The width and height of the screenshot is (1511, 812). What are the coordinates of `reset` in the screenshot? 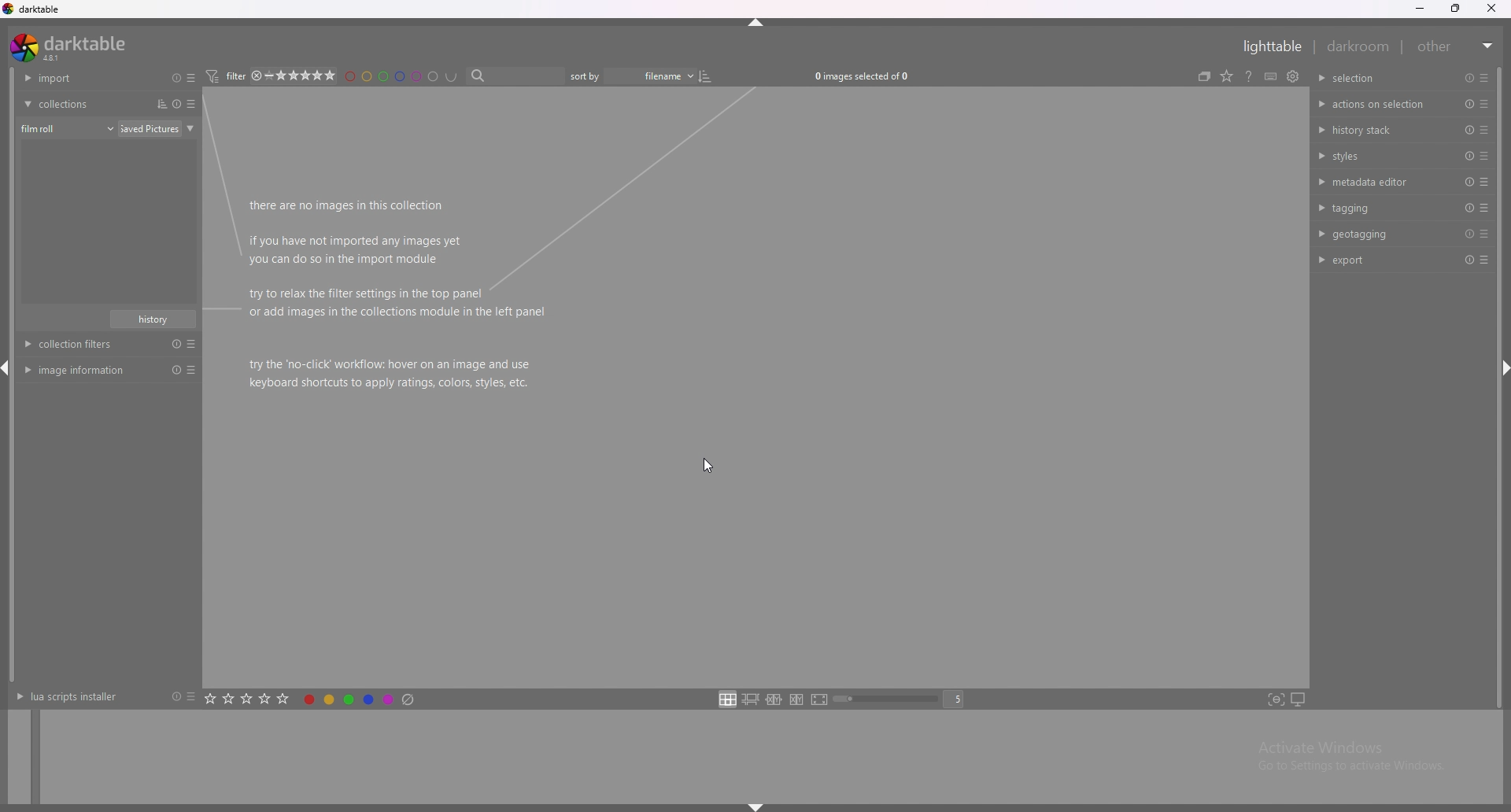 It's located at (1467, 183).